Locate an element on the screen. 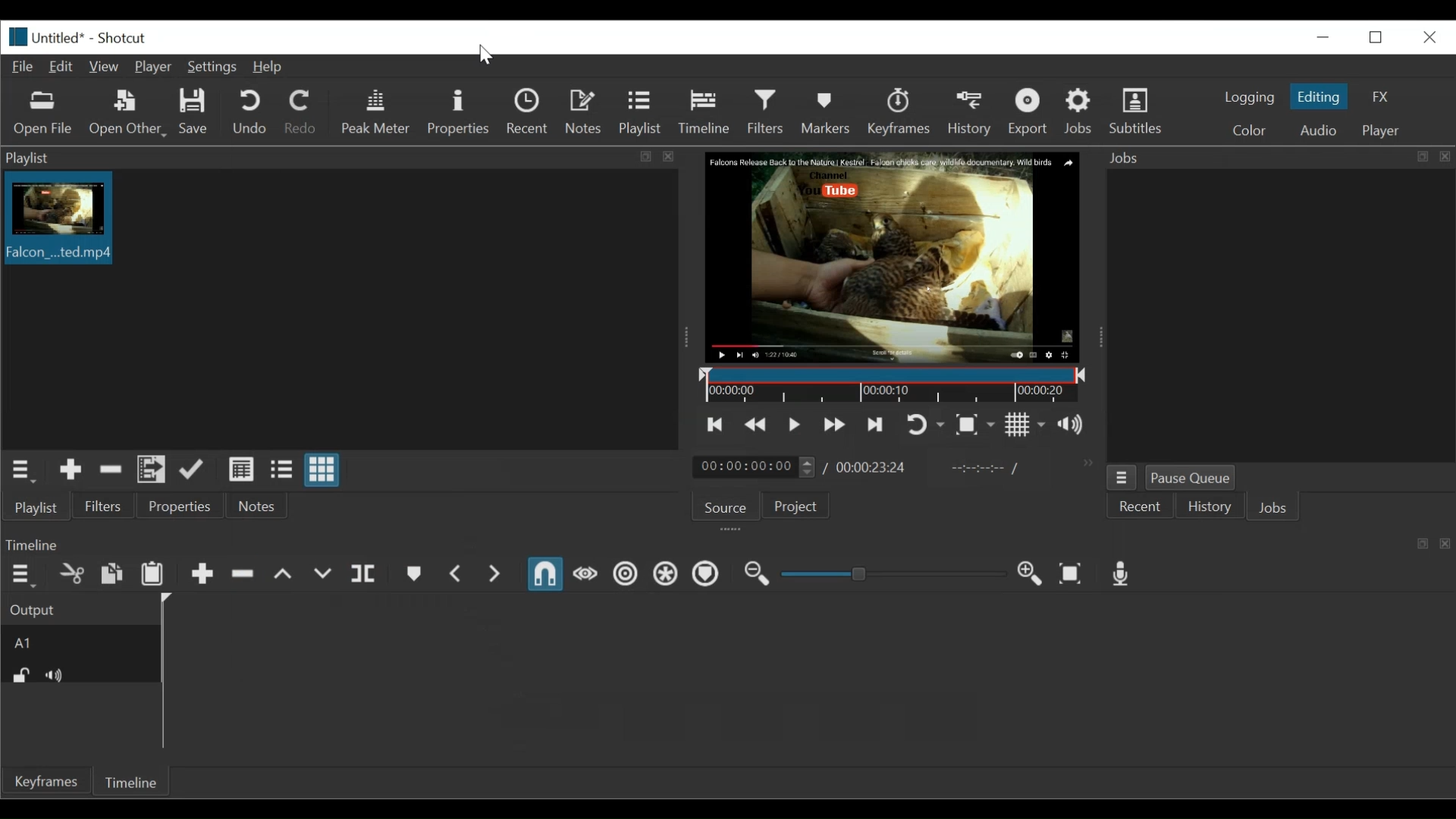 The width and height of the screenshot is (1456, 819). Previous marker is located at coordinates (457, 574).